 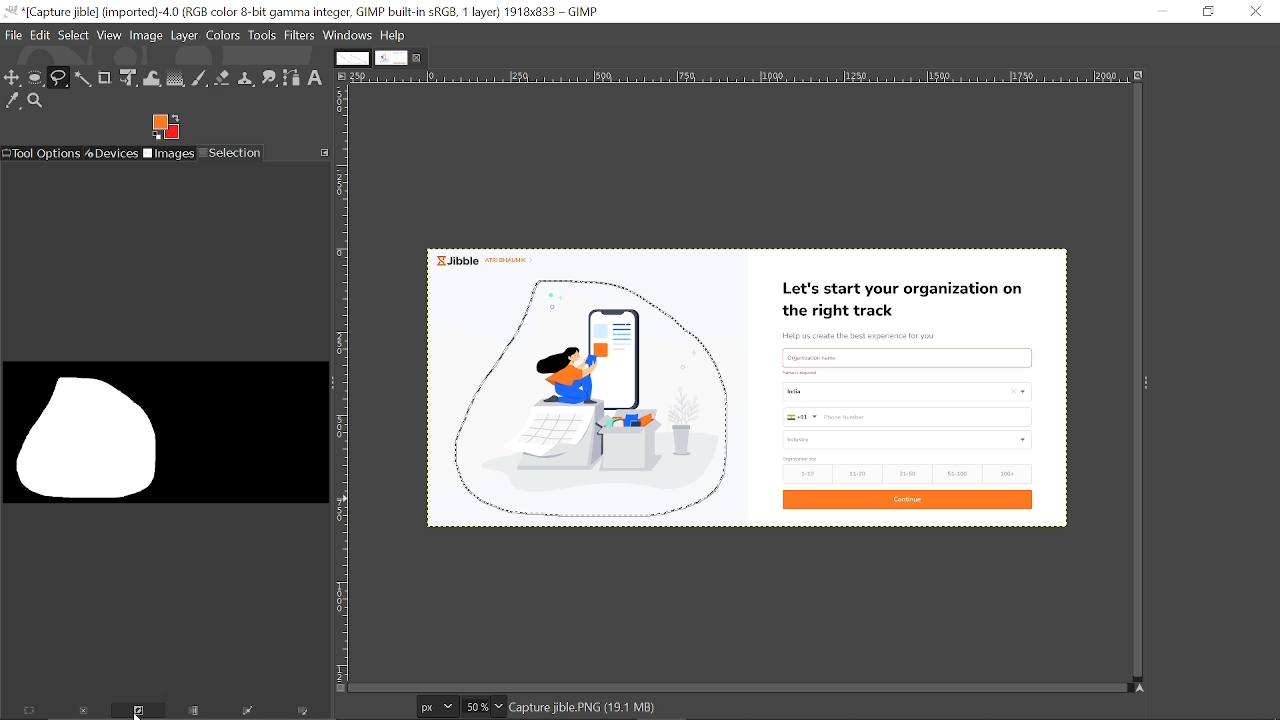 I want to click on Select everything, so click(x=30, y=712).